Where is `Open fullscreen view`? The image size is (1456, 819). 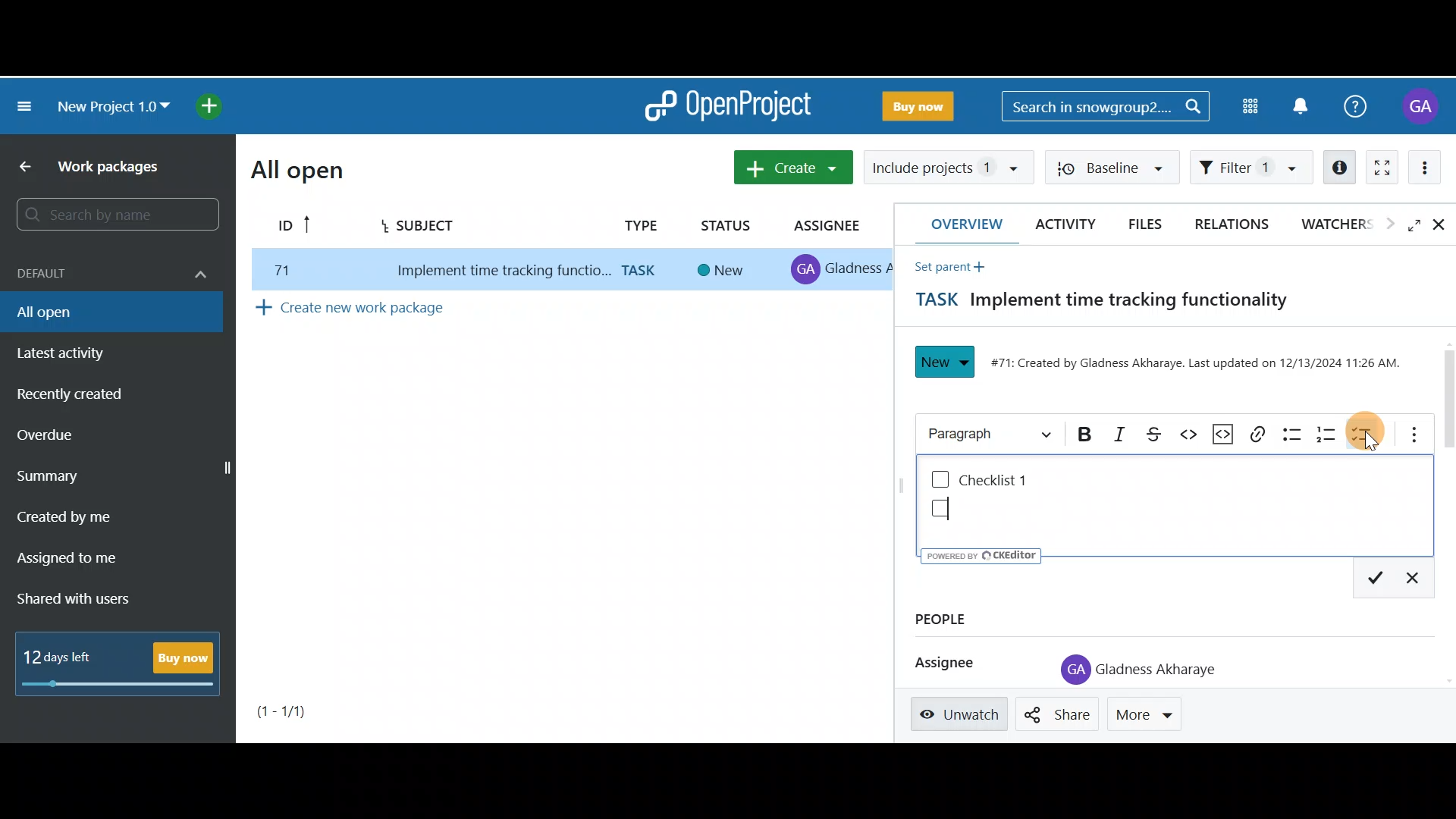 Open fullscreen view is located at coordinates (1404, 226).